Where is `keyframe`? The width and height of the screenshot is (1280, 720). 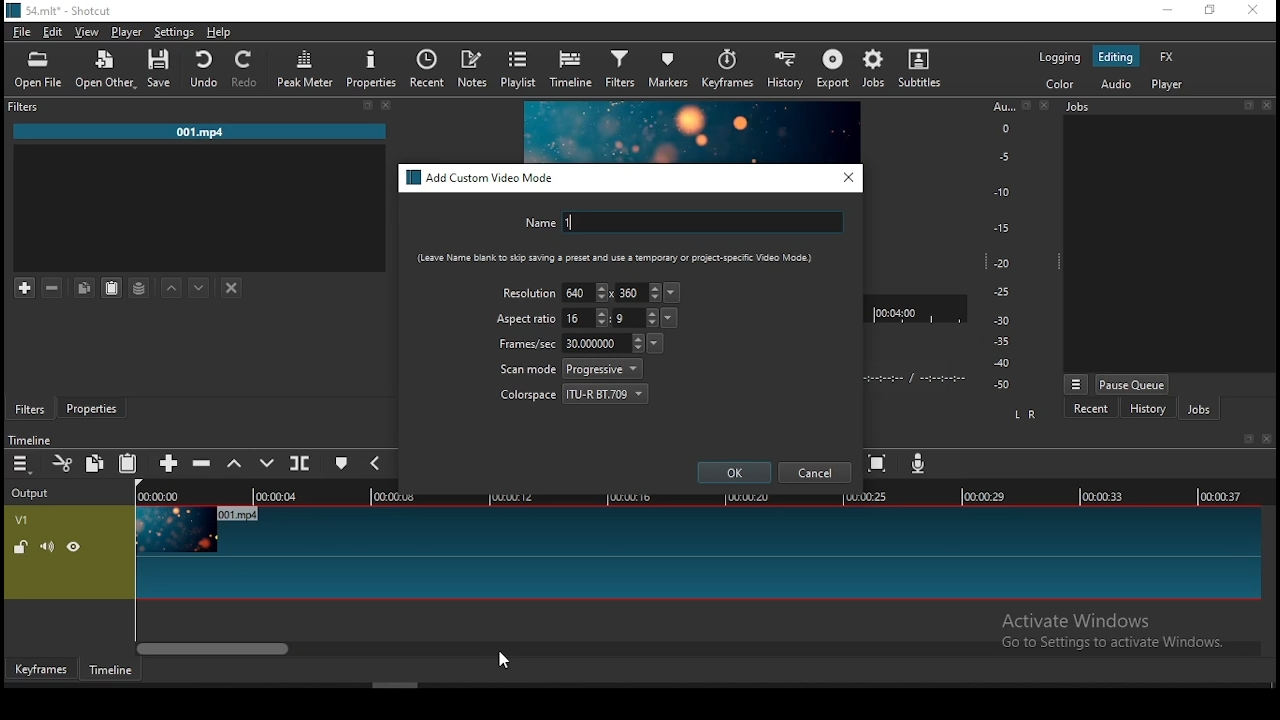
keyframe is located at coordinates (41, 670).